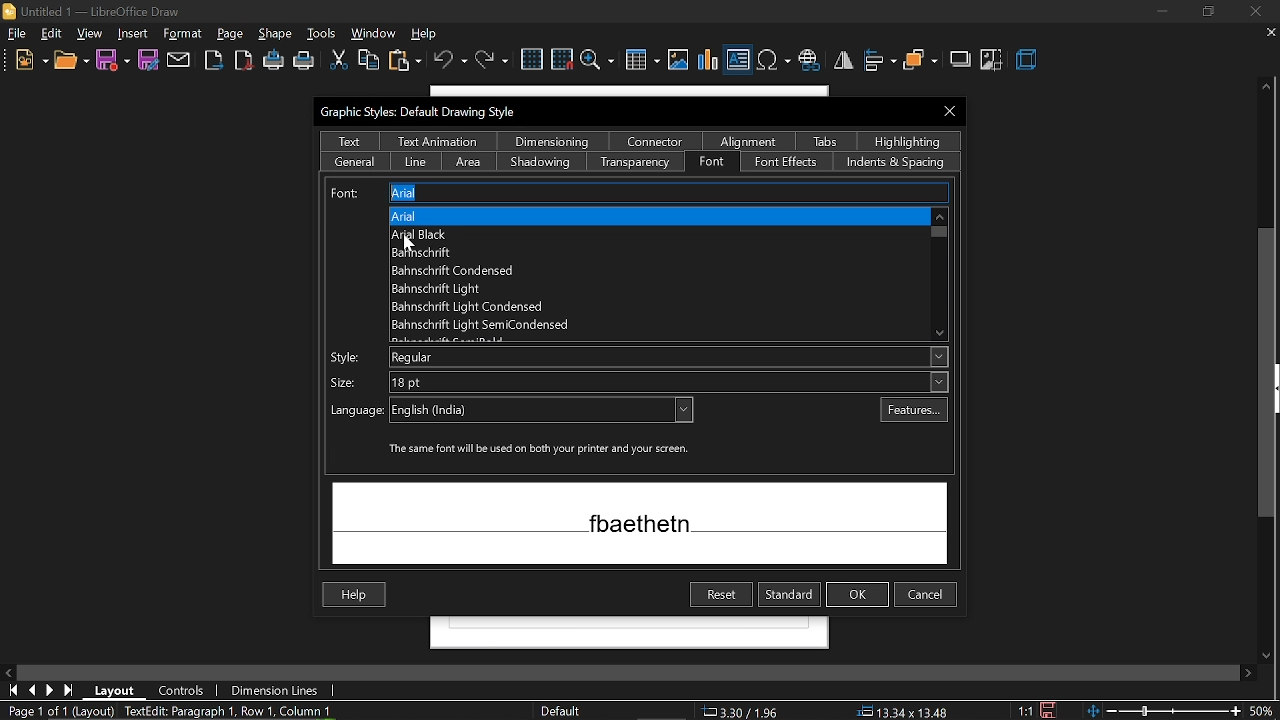  Describe the element at coordinates (476, 307) in the screenshot. I see `Bahnschrift Light Condensed` at that location.